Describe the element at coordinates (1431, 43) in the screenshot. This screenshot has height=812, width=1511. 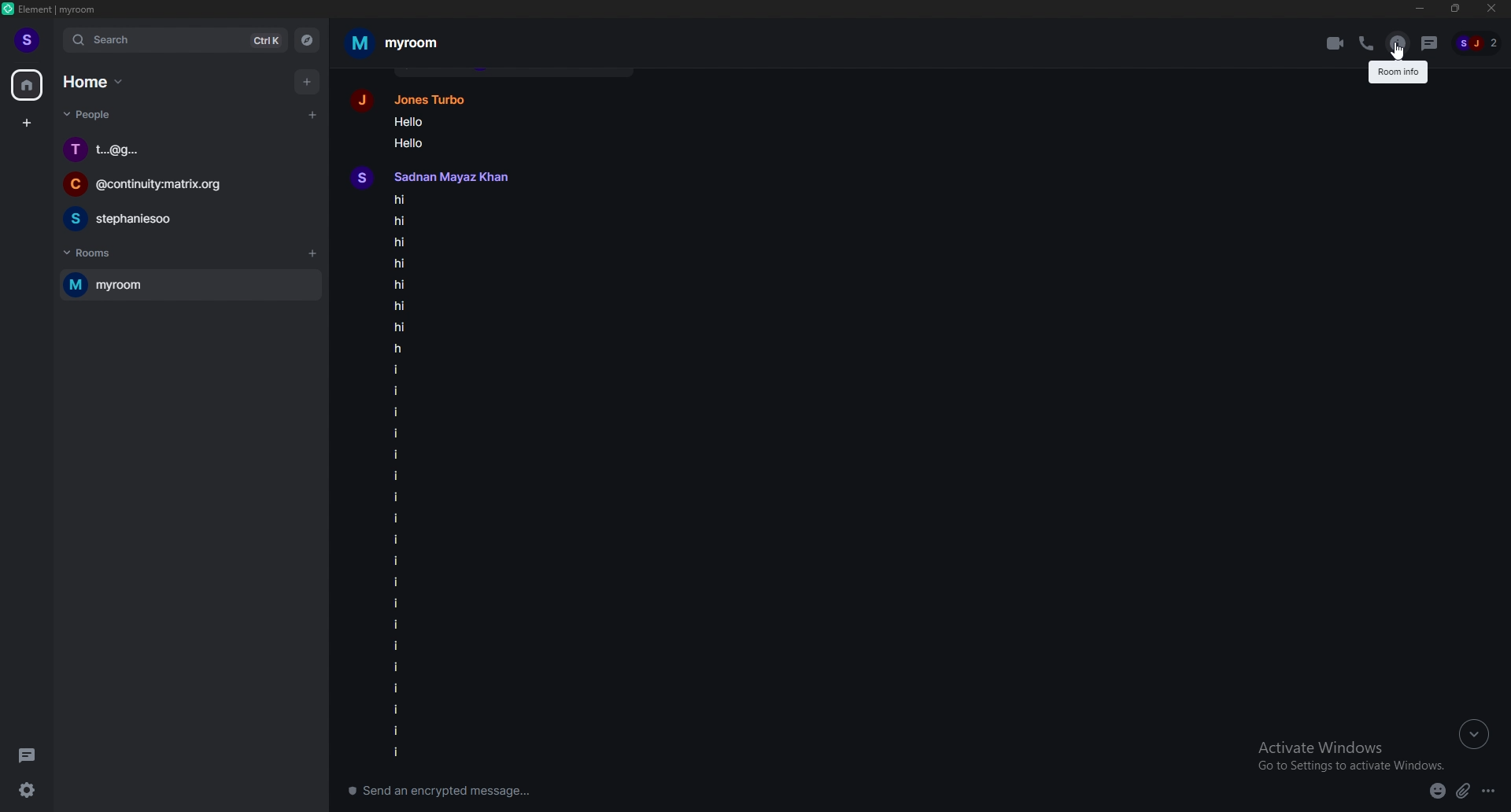
I see `threads` at that location.